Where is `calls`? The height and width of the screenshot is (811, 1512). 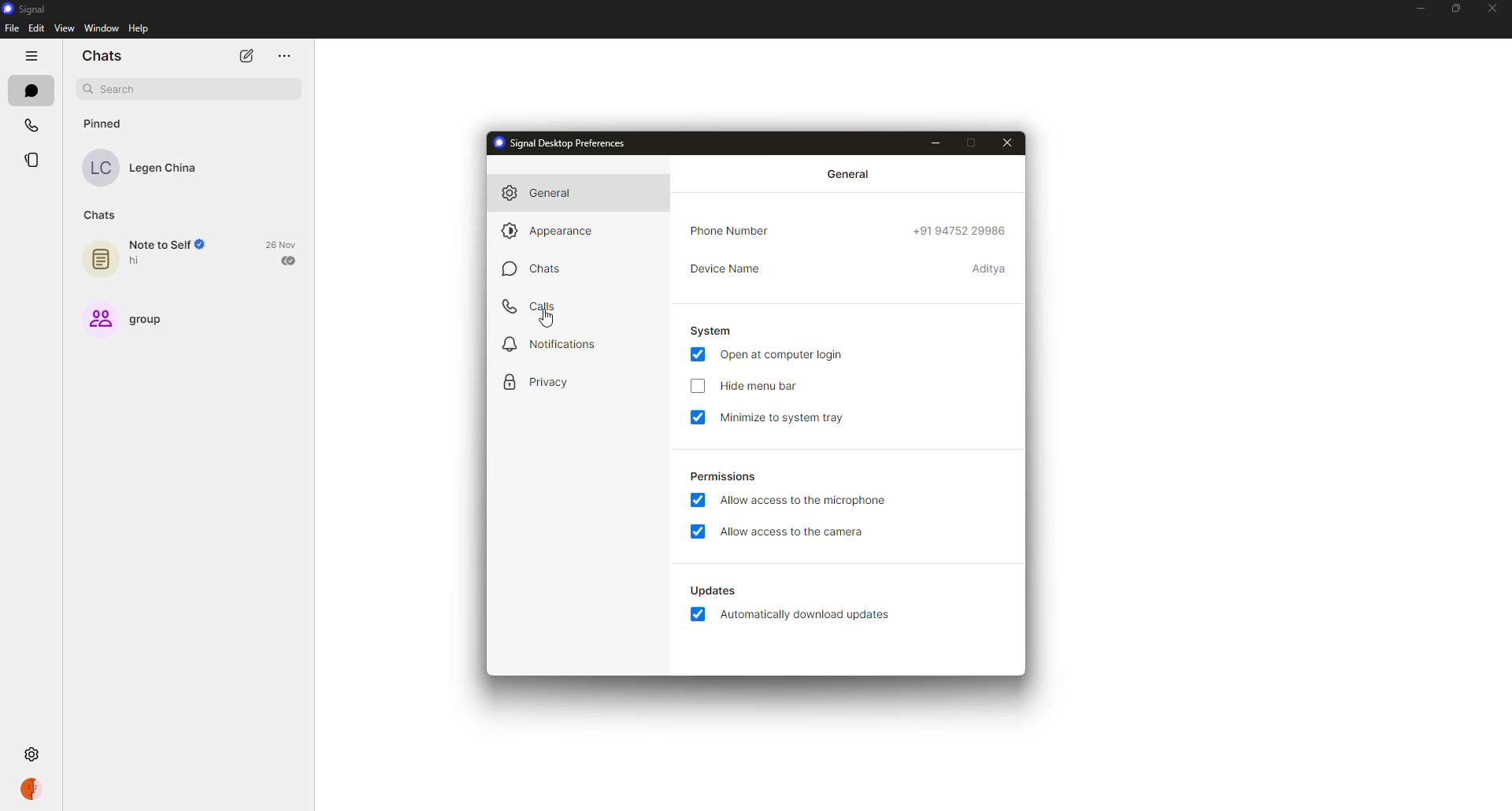
calls is located at coordinates (535, 306).